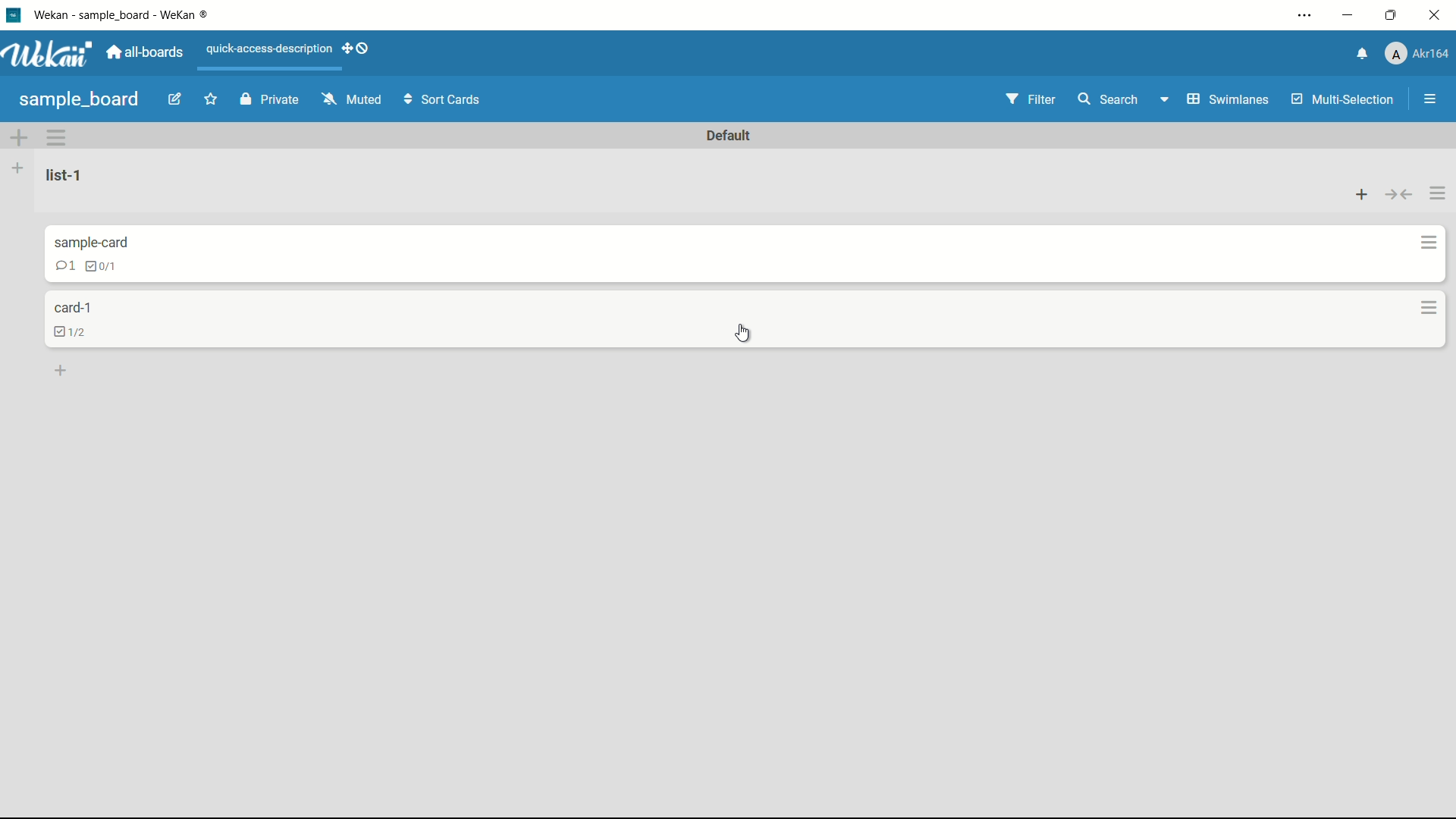  Describe the element at coordinates (1301, 14) in the screenshot. I see `settings and more` at that location.